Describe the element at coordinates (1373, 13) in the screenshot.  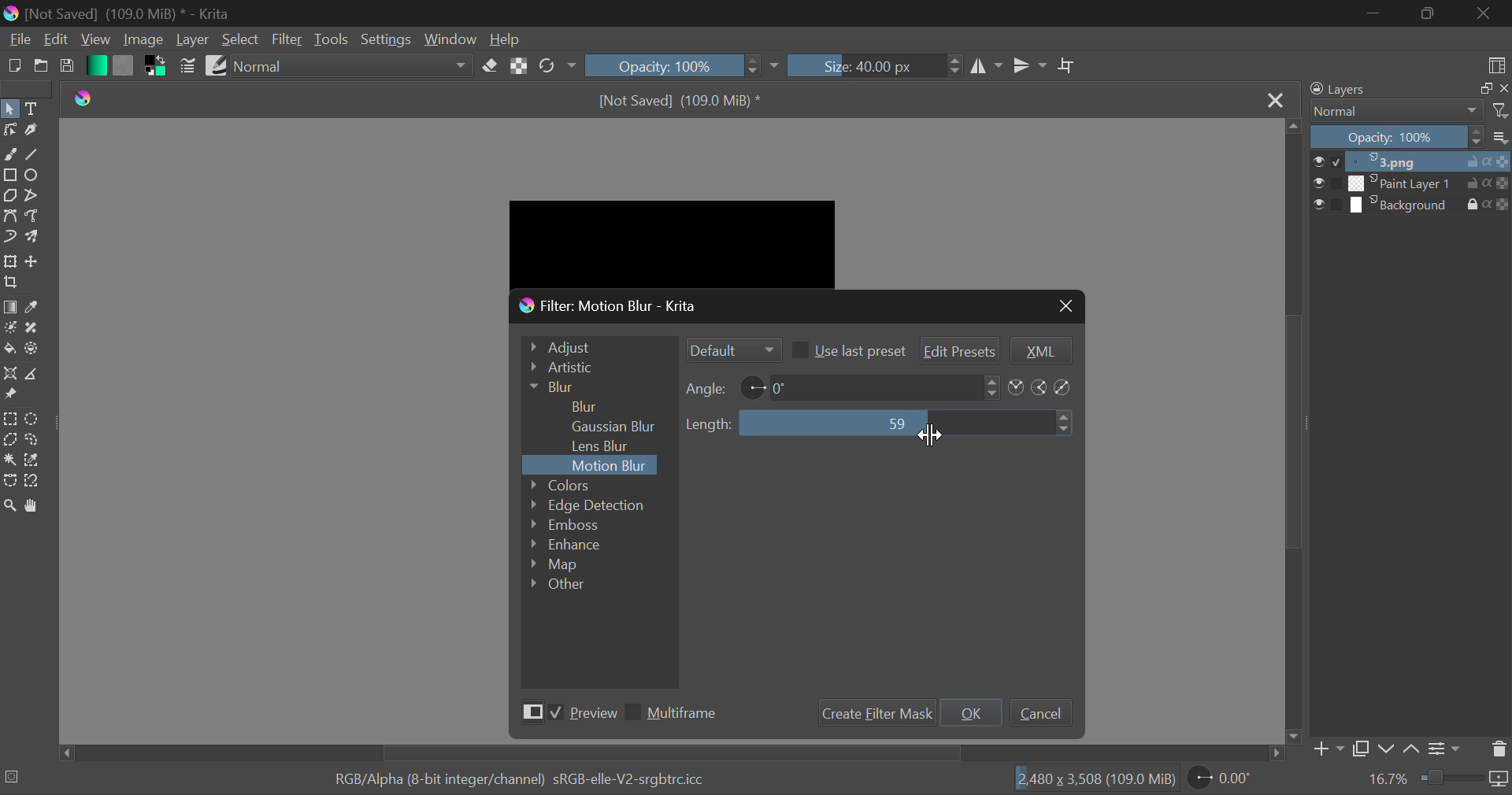
I see `Restore Down` at that location.